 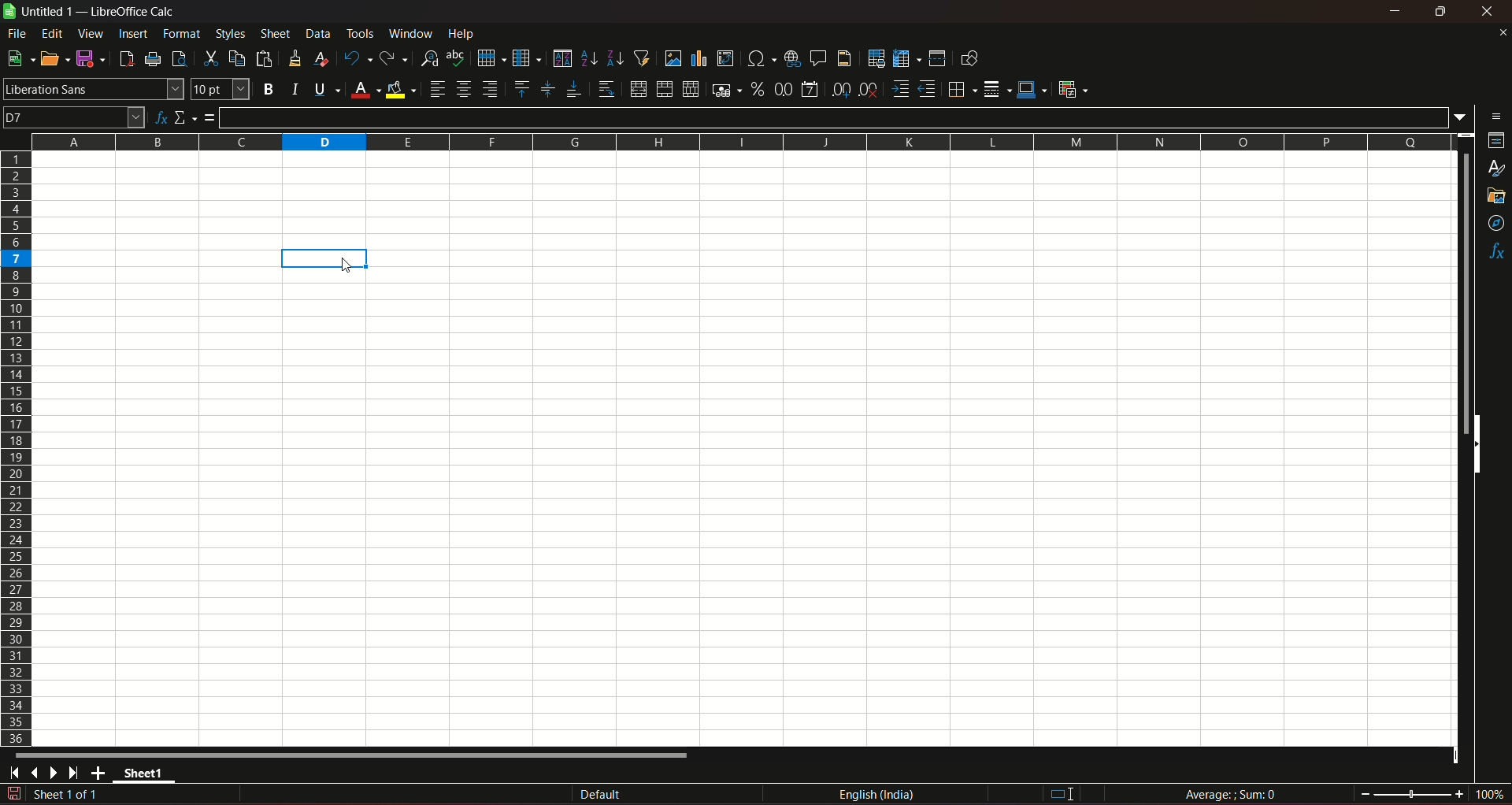 What do you see at coordinates (413, 34) in the screenshot?
I see `window` at bounding box center [413, 34].